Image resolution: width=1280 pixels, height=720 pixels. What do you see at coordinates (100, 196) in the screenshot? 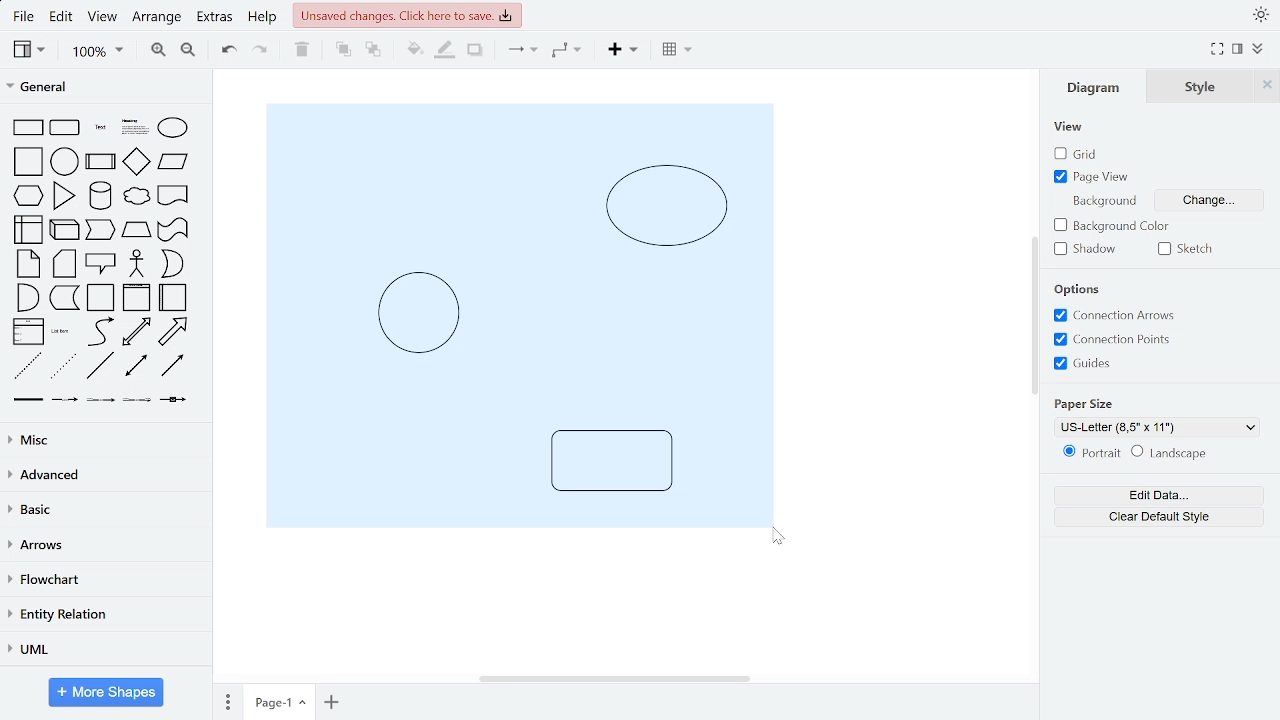
I see `cylinder` at bounding box center [100, 196].